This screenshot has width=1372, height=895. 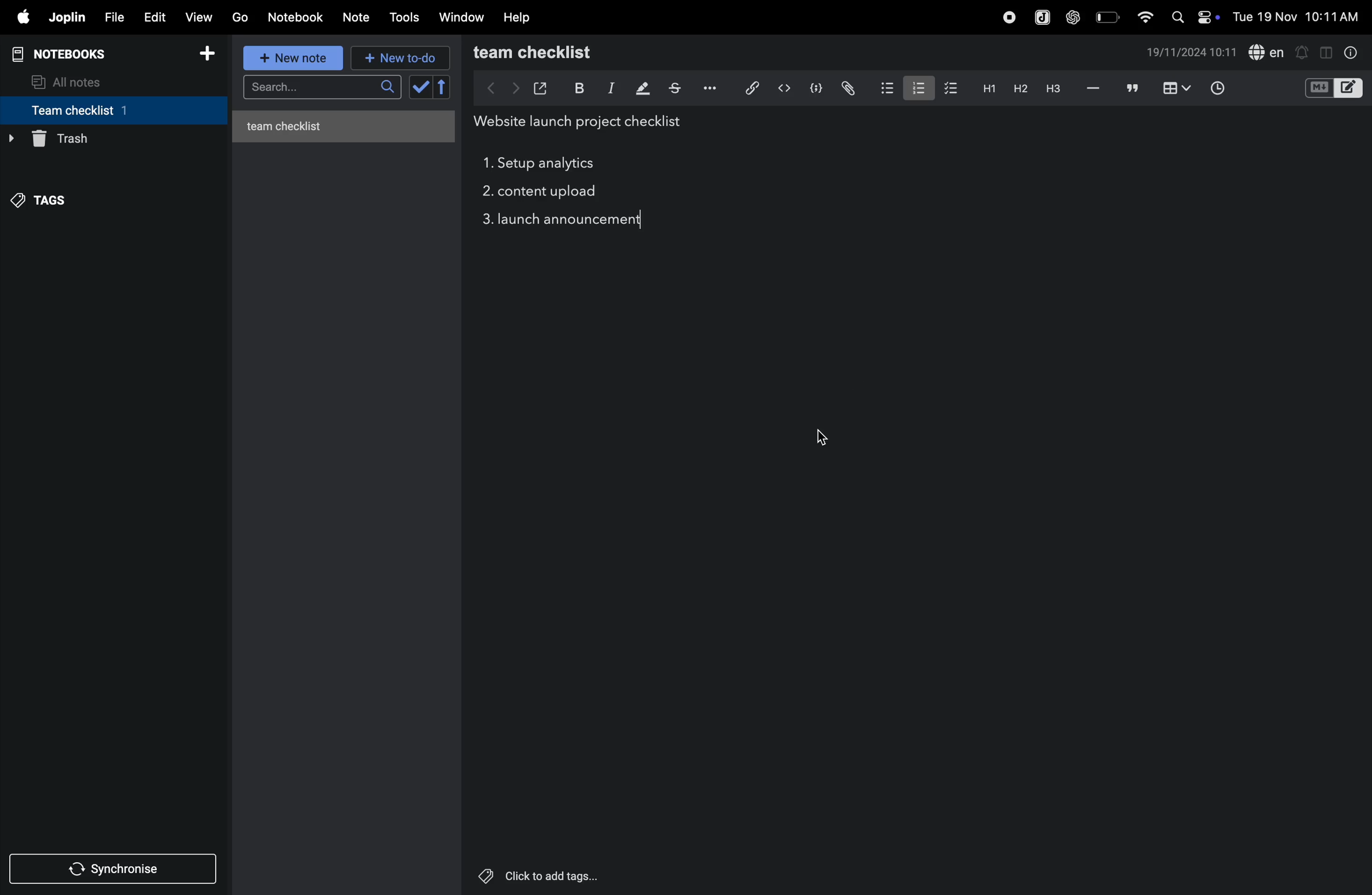 What do you see at coordinates (1017, 88) in the screenshot?
I see `heading 2` at bounding box center [1017, 88].